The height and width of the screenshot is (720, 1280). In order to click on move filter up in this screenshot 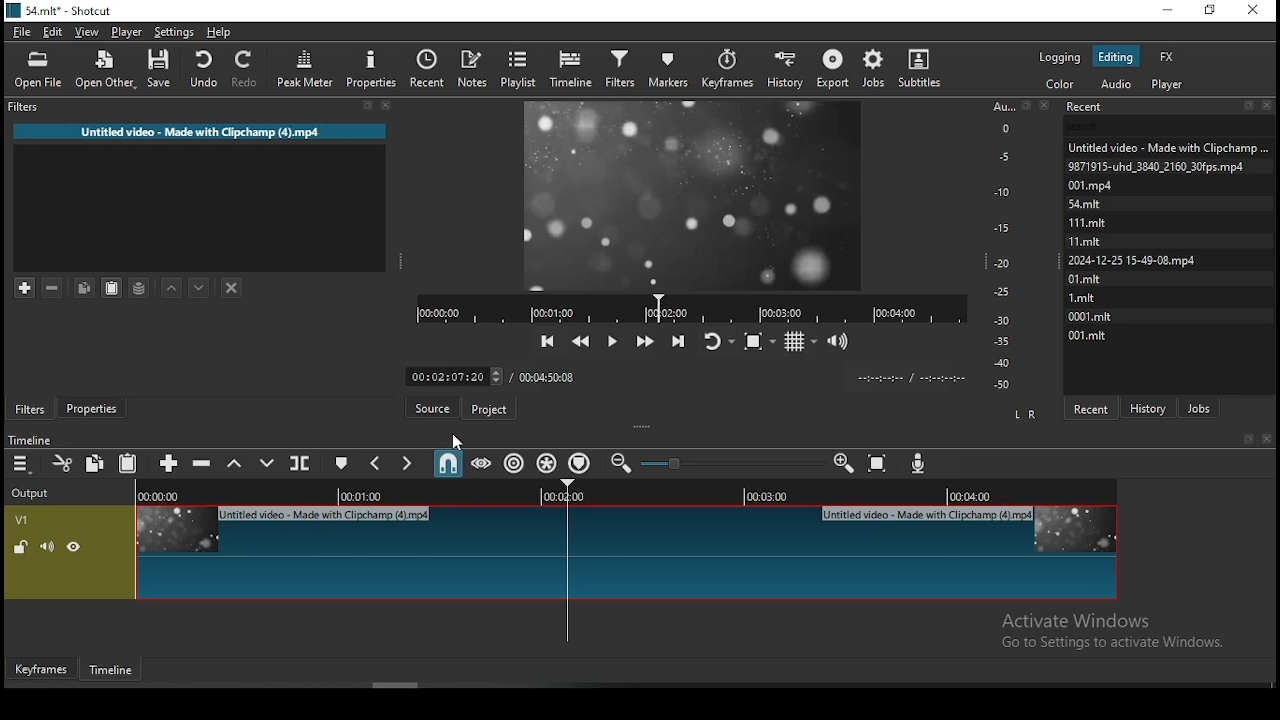, I will do `click(173, 286)`.